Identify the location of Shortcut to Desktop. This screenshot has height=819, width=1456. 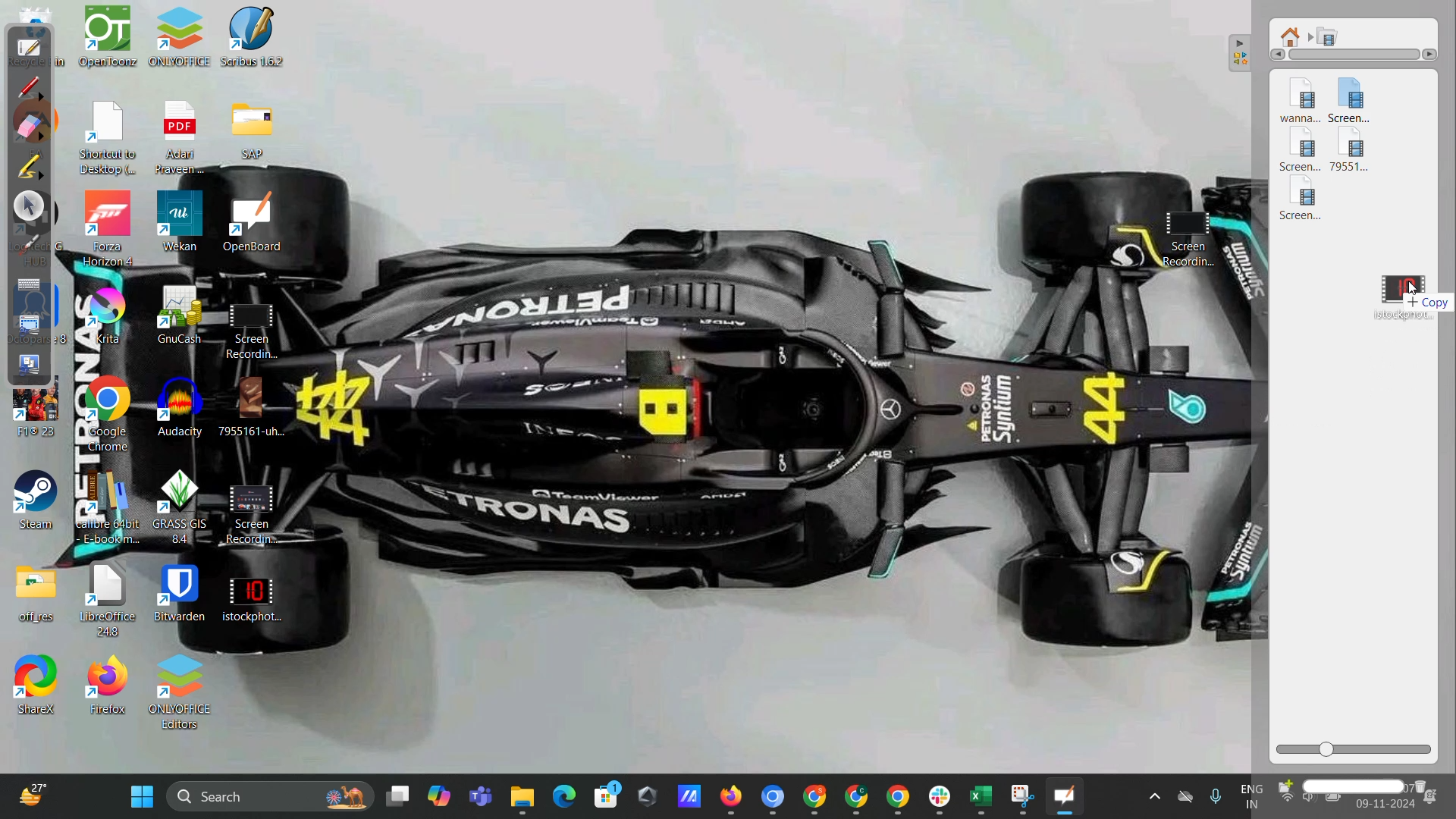
(111, 141).